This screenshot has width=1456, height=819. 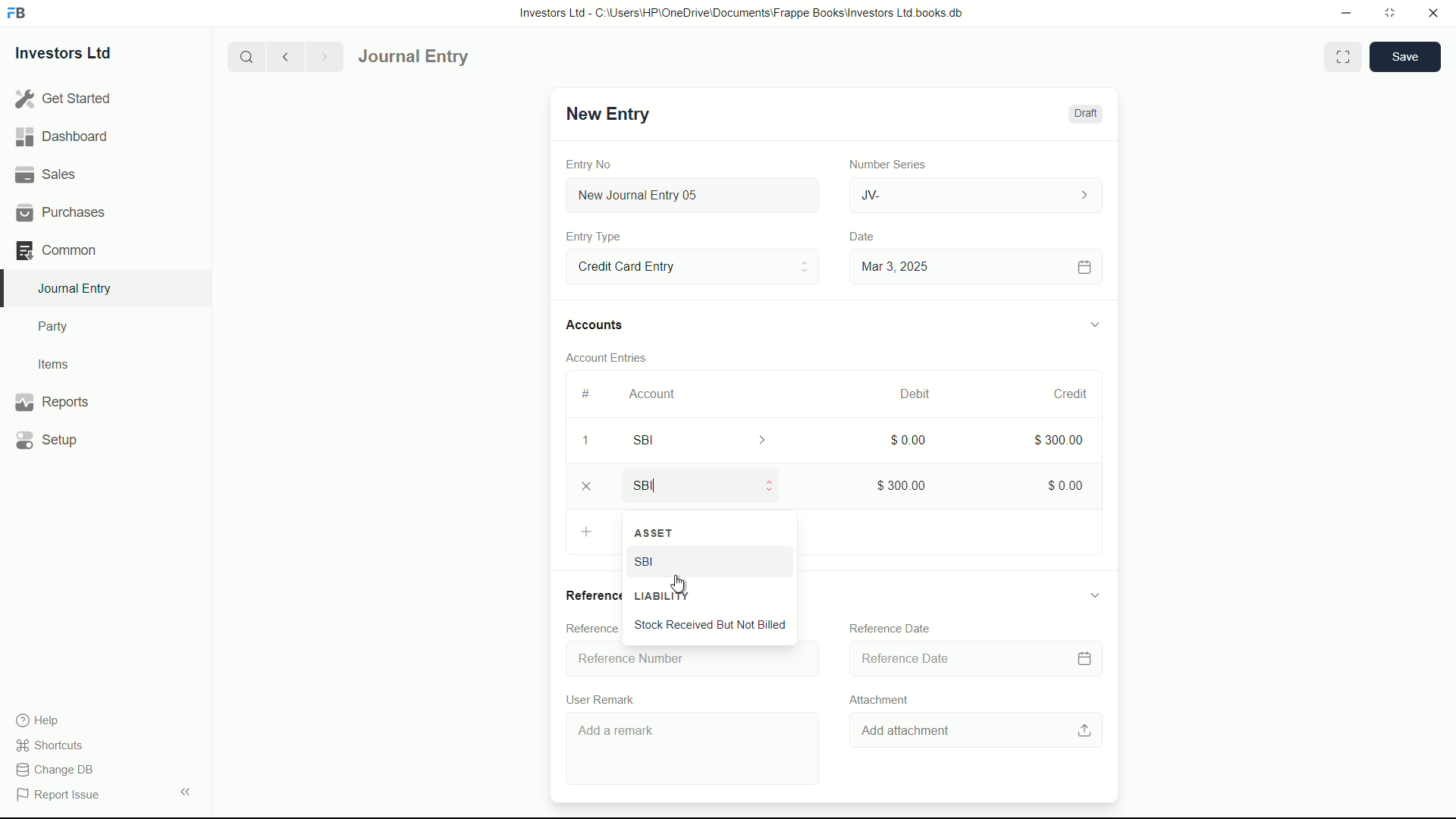 I want to click on Debit, so click(x=908, y=394).